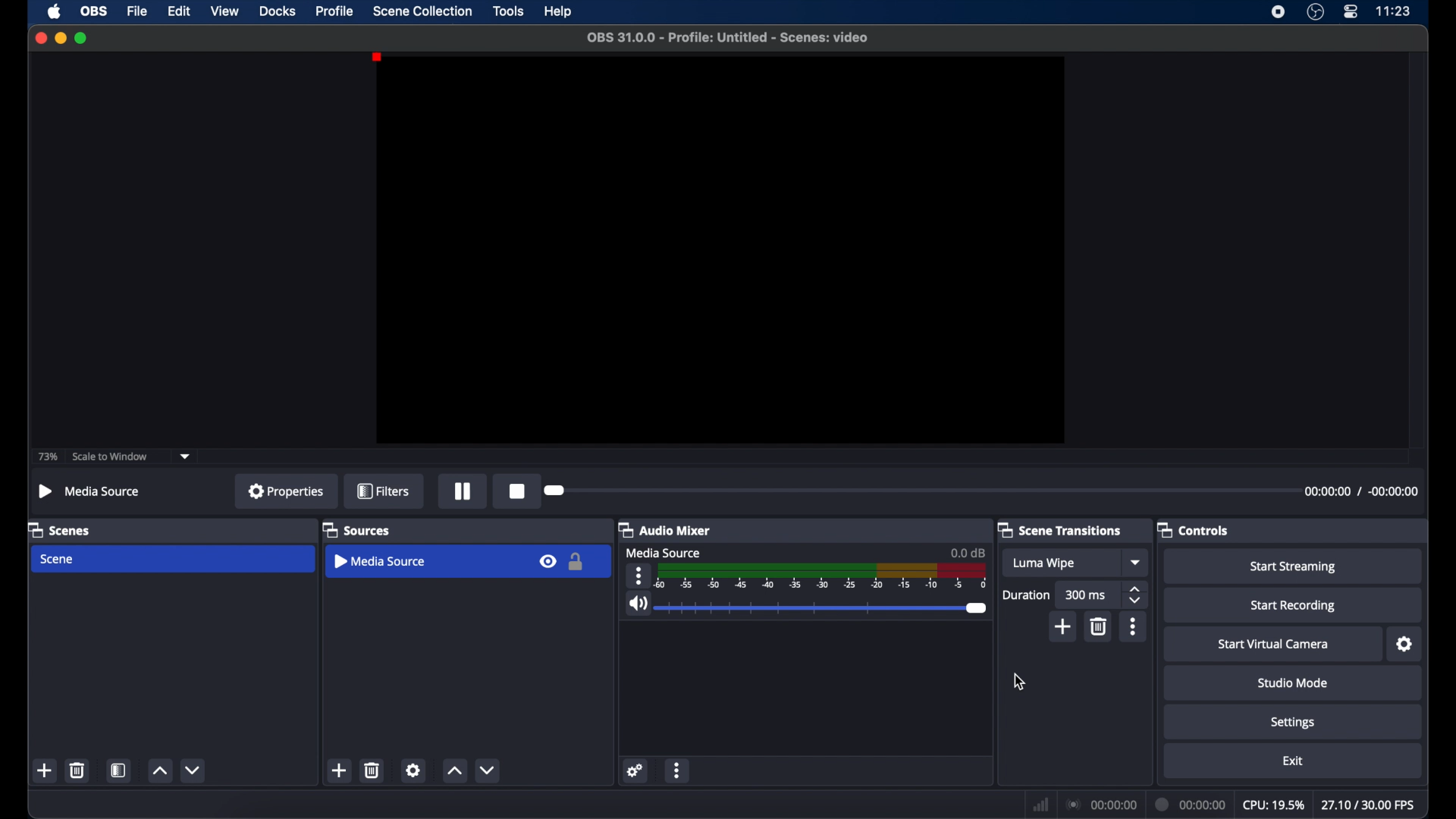  Describe the element at coordinates (638, 576) in the screenshot. I see `more options` at that location.